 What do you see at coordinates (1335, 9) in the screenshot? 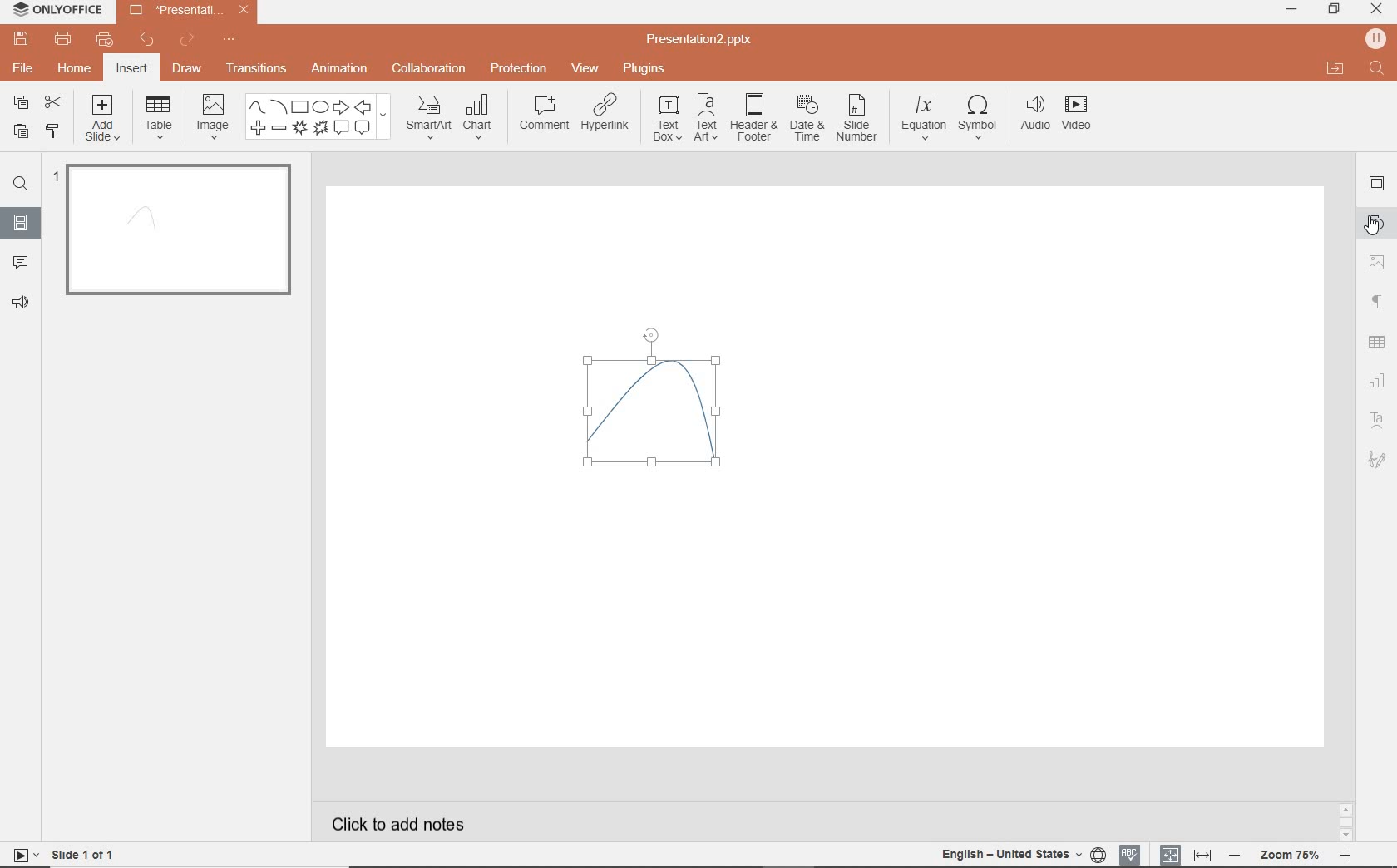
I see `RESTORE` at bounding box center [1335, 9].